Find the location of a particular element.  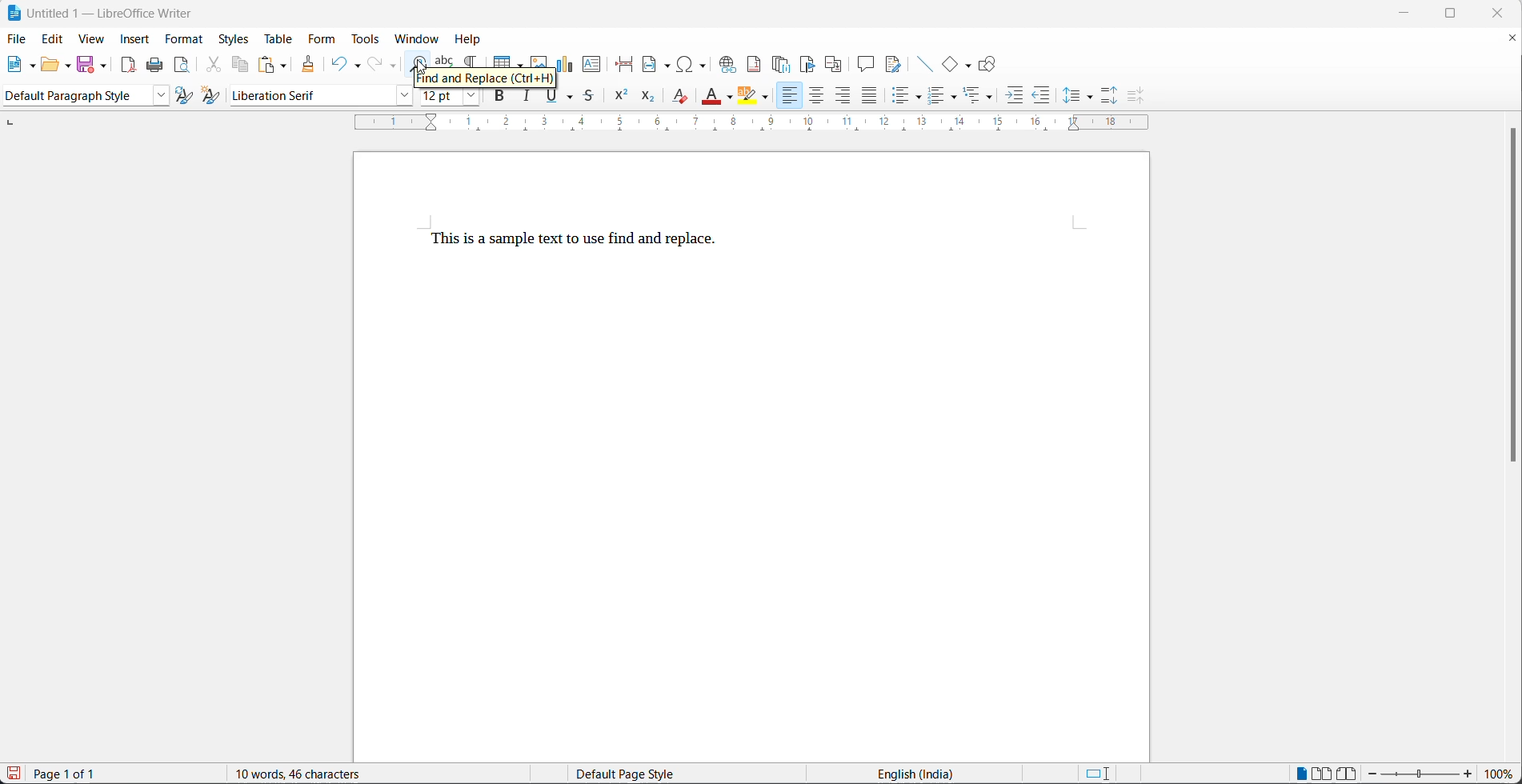

font name options is located at coordinates (401, 96).